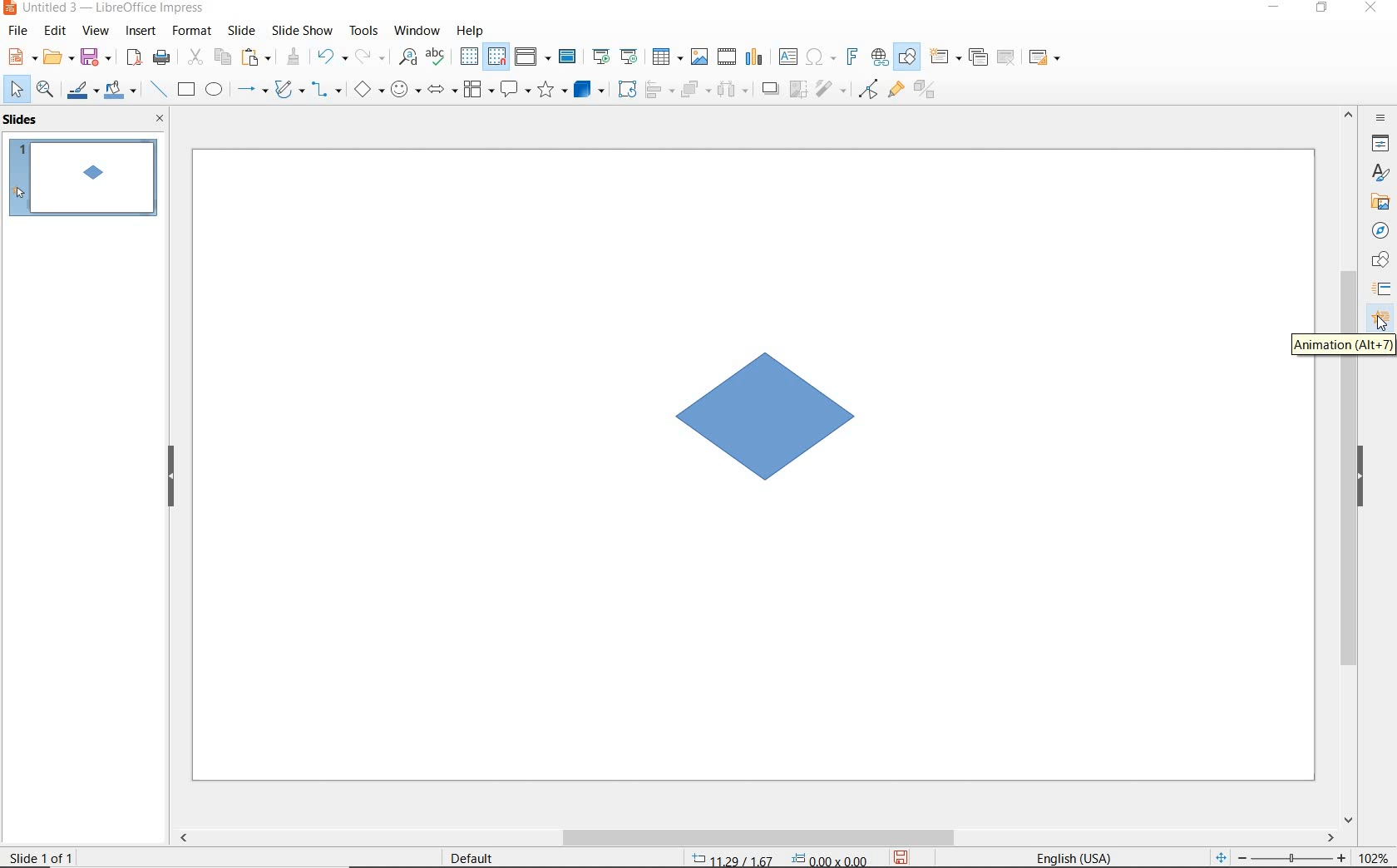 This screenshot has height=868, width=1397. I want to click on view, so click(95, 32).